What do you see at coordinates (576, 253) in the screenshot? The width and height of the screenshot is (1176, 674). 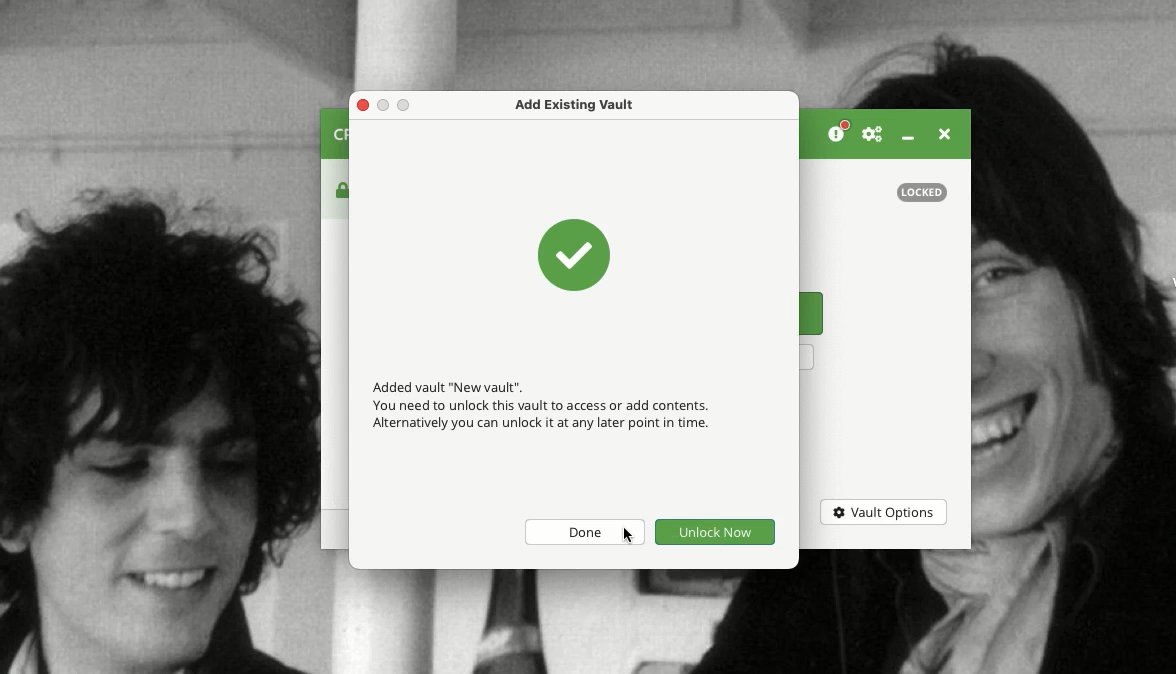 I see `Success emblem` at bounding box center [576, 253].